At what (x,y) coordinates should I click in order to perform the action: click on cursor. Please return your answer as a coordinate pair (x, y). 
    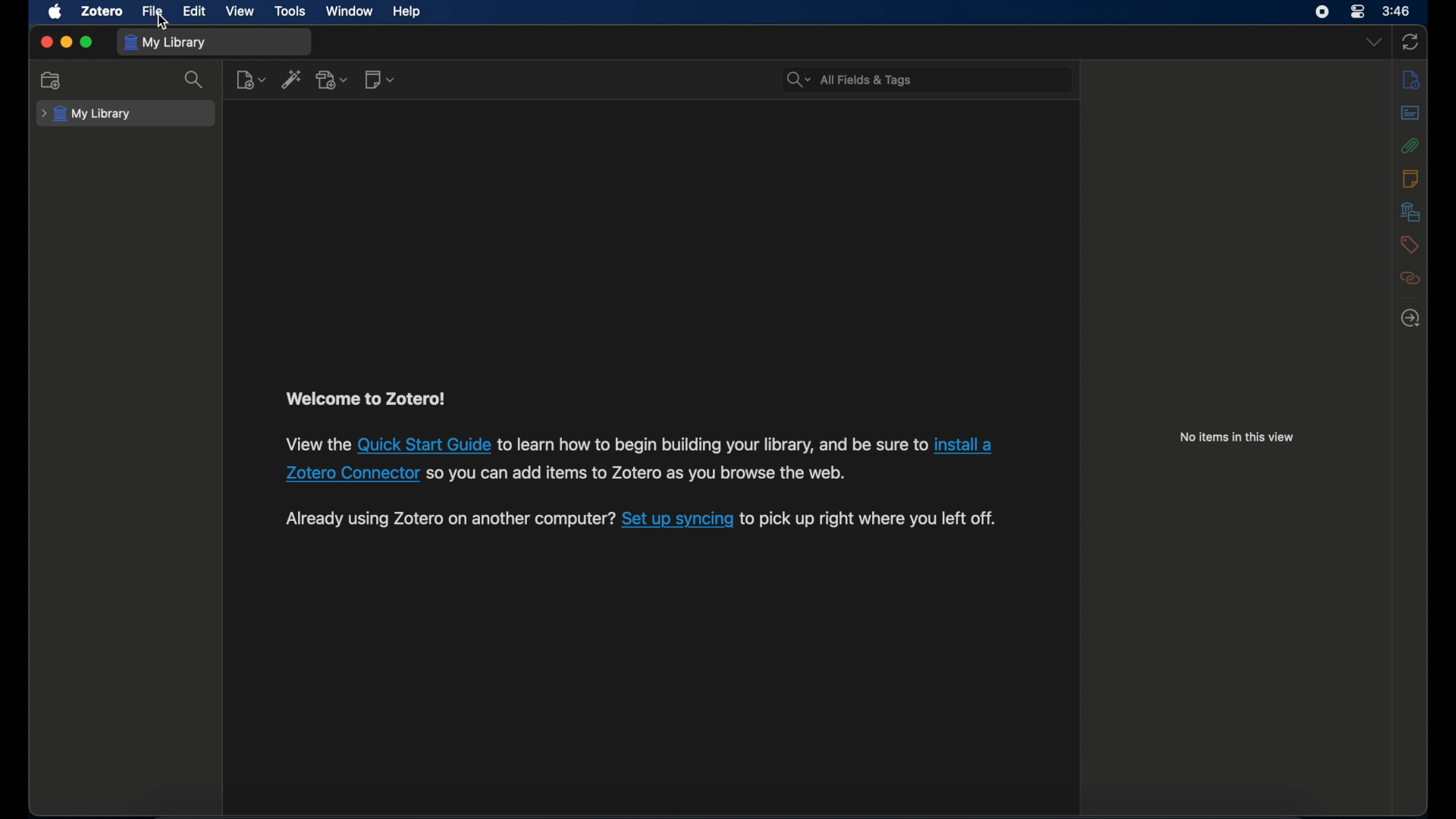
    Looking at the image, I should click on (163, 22).